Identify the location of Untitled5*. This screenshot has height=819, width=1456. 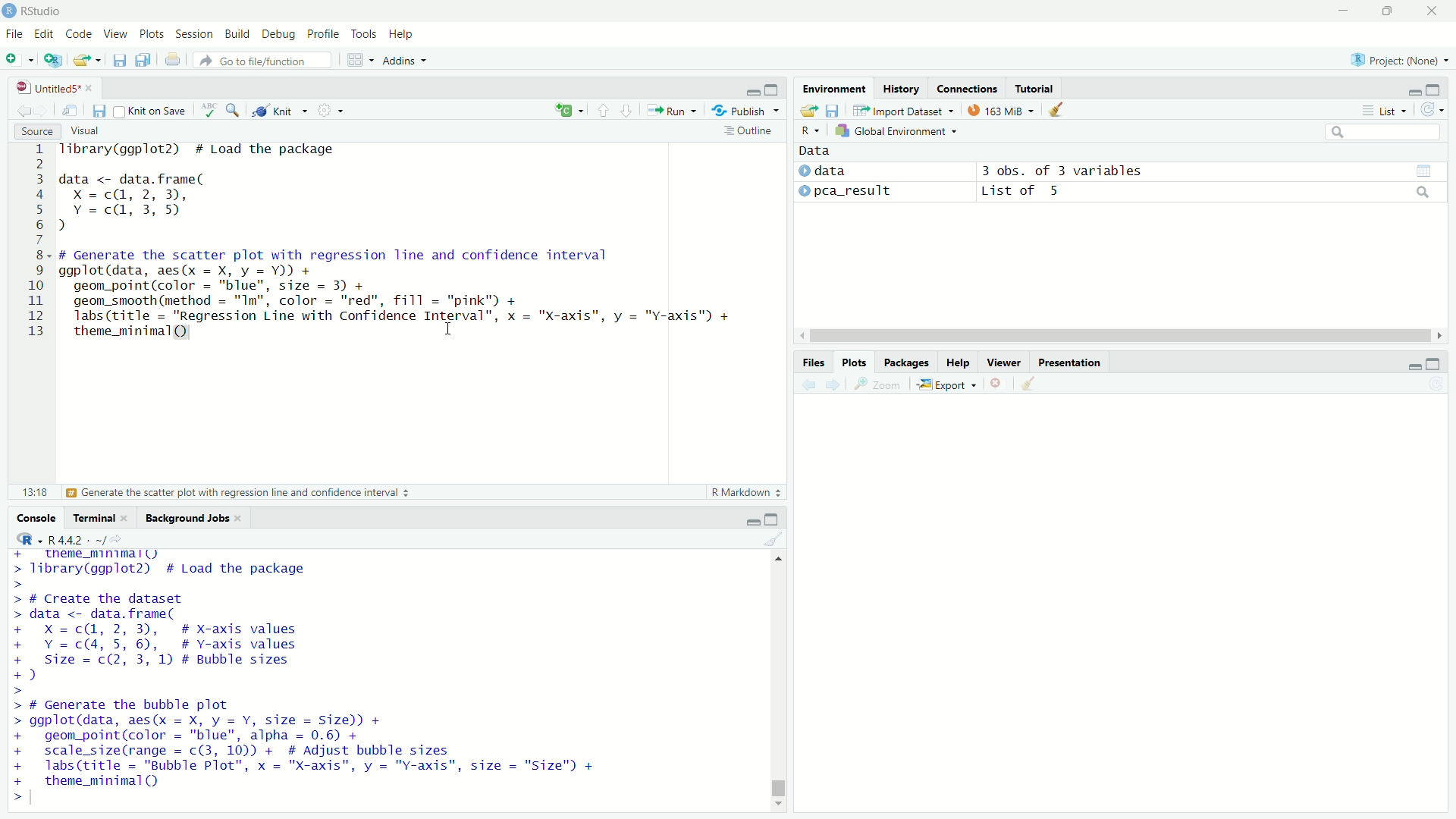
(48, 87).